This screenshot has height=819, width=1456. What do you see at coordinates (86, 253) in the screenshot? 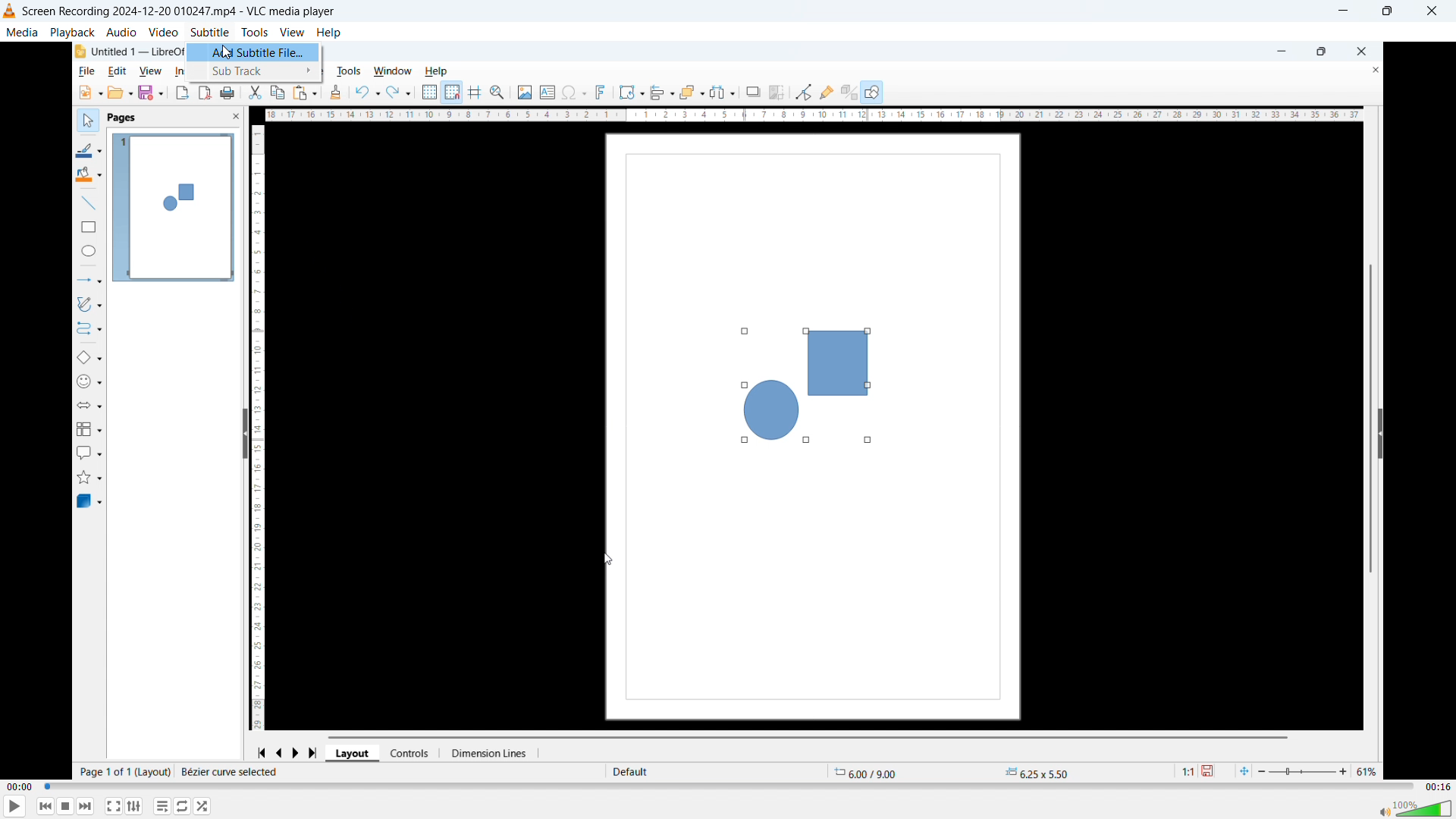
I see `elipse` at bounding box center [86, 253].